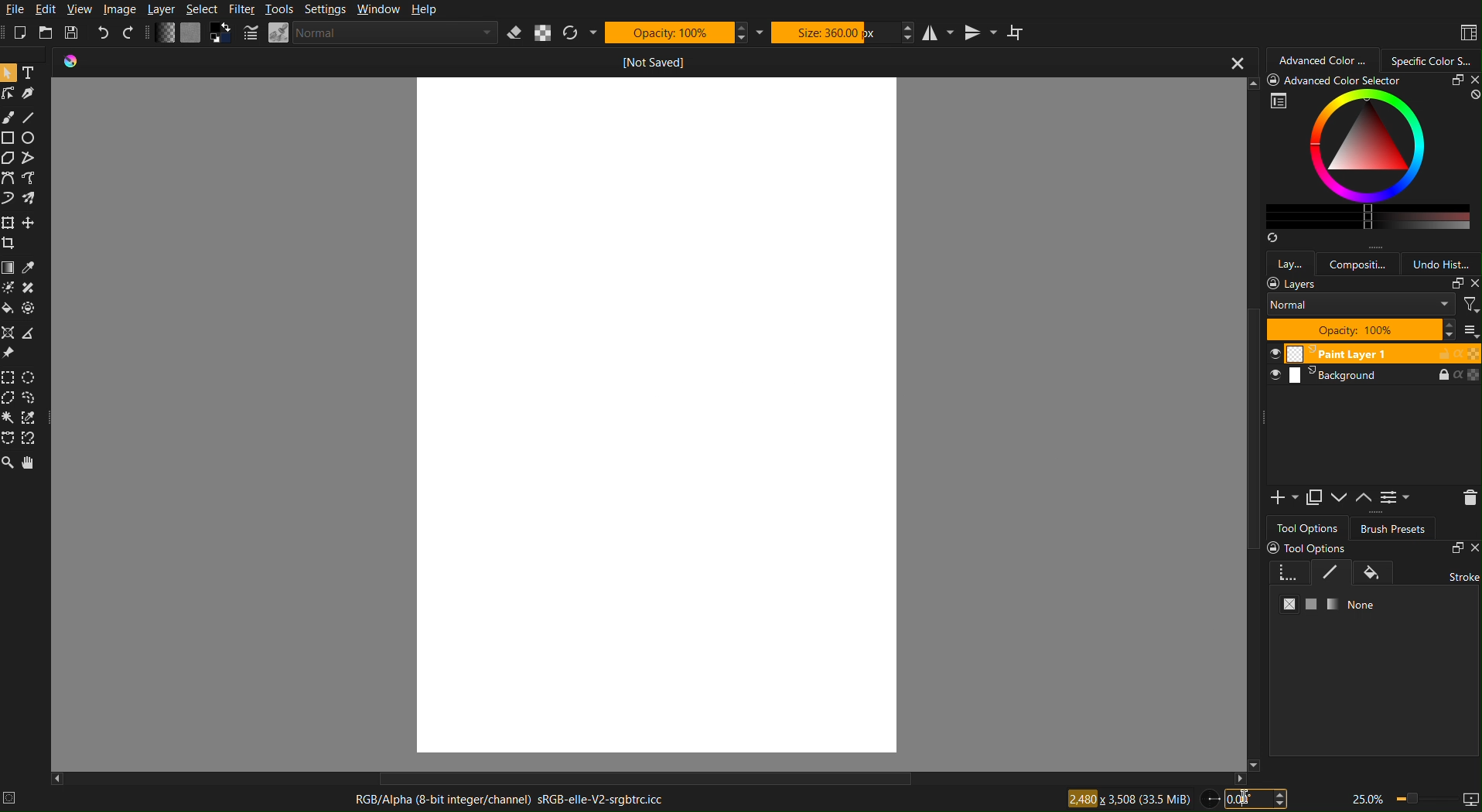 The width and height of the screenshot is (1482, 812). What do you see at coordinates (29, 115) in the screenshot?
I see `Line` at bounding box center [29, 115].